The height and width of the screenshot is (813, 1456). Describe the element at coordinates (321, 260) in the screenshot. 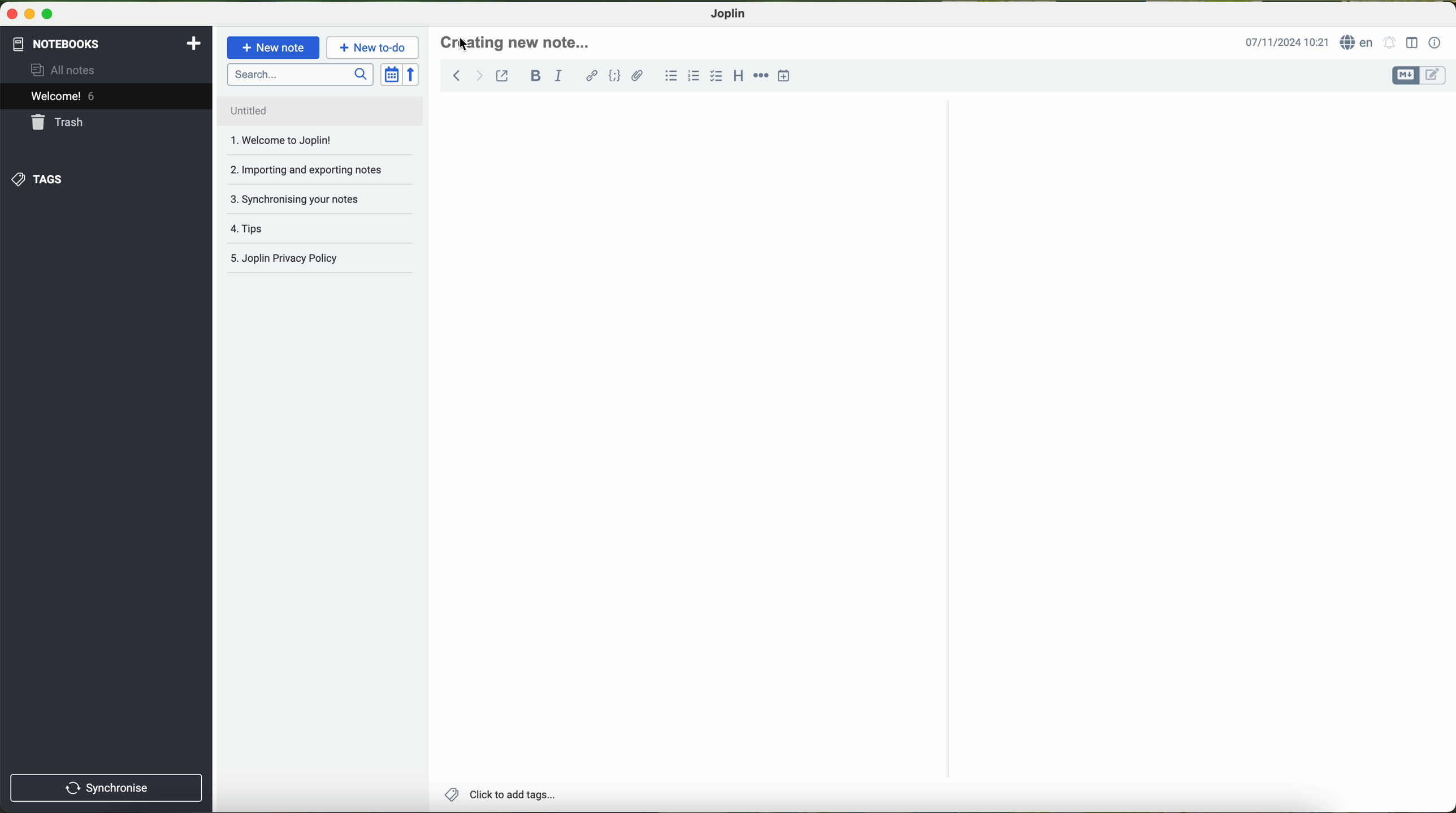

I see `Joplin privacy policy` at that location.